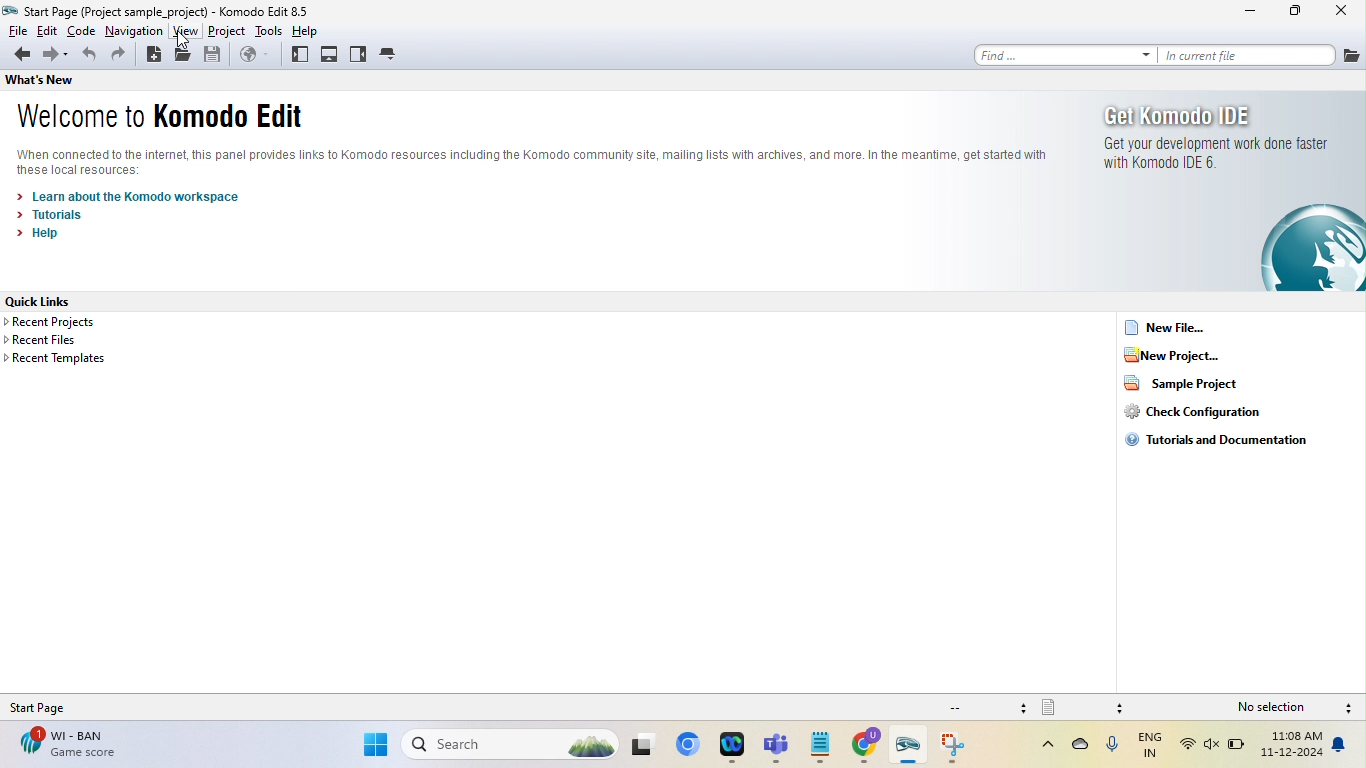 This screenshot has width=1366, height=768. Describe the element at coordinates (47, 31) in the screenshot. I see `edit` at that location.